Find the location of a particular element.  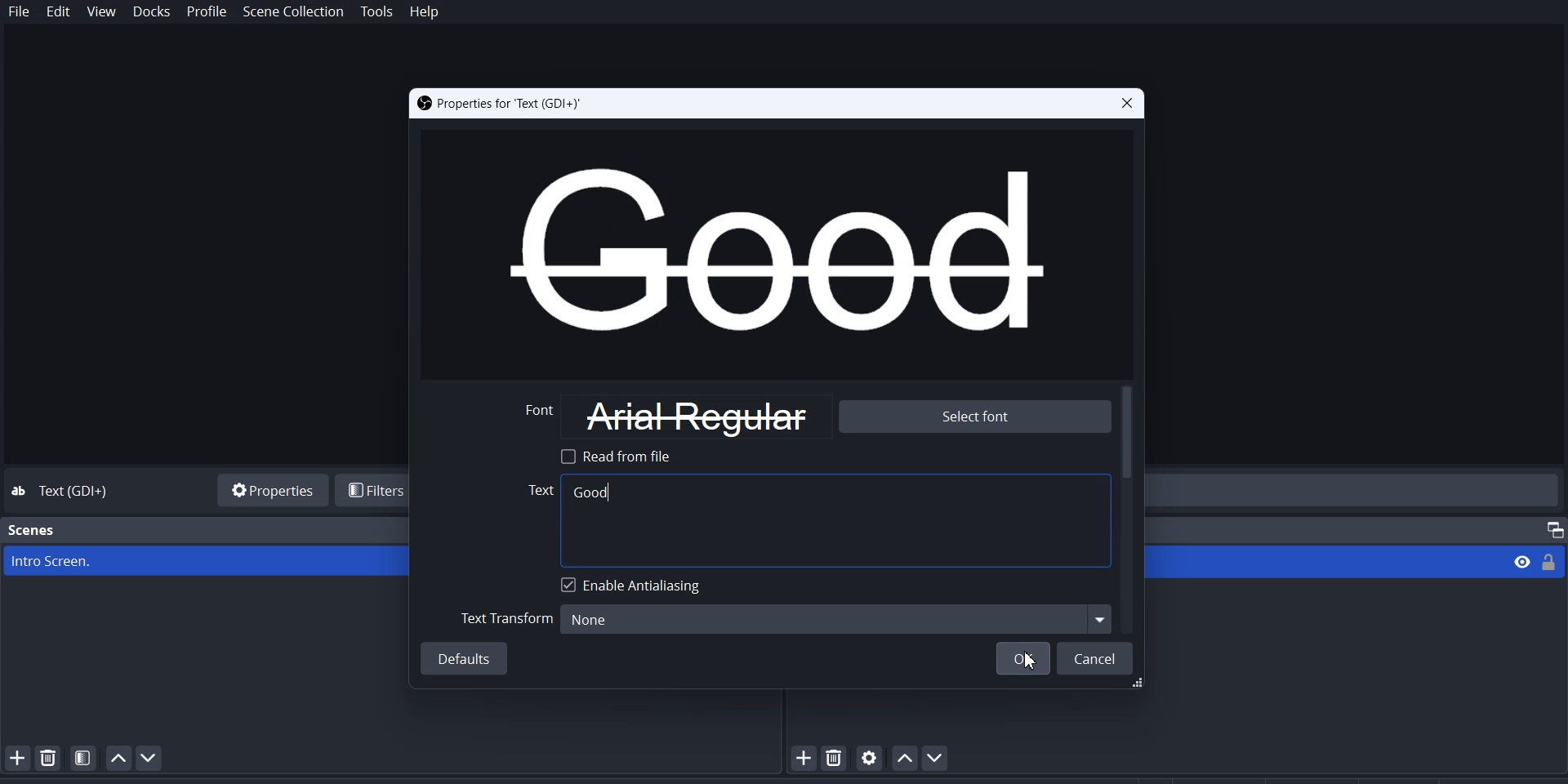

Arial Regular is located at coordinates (697, 416).